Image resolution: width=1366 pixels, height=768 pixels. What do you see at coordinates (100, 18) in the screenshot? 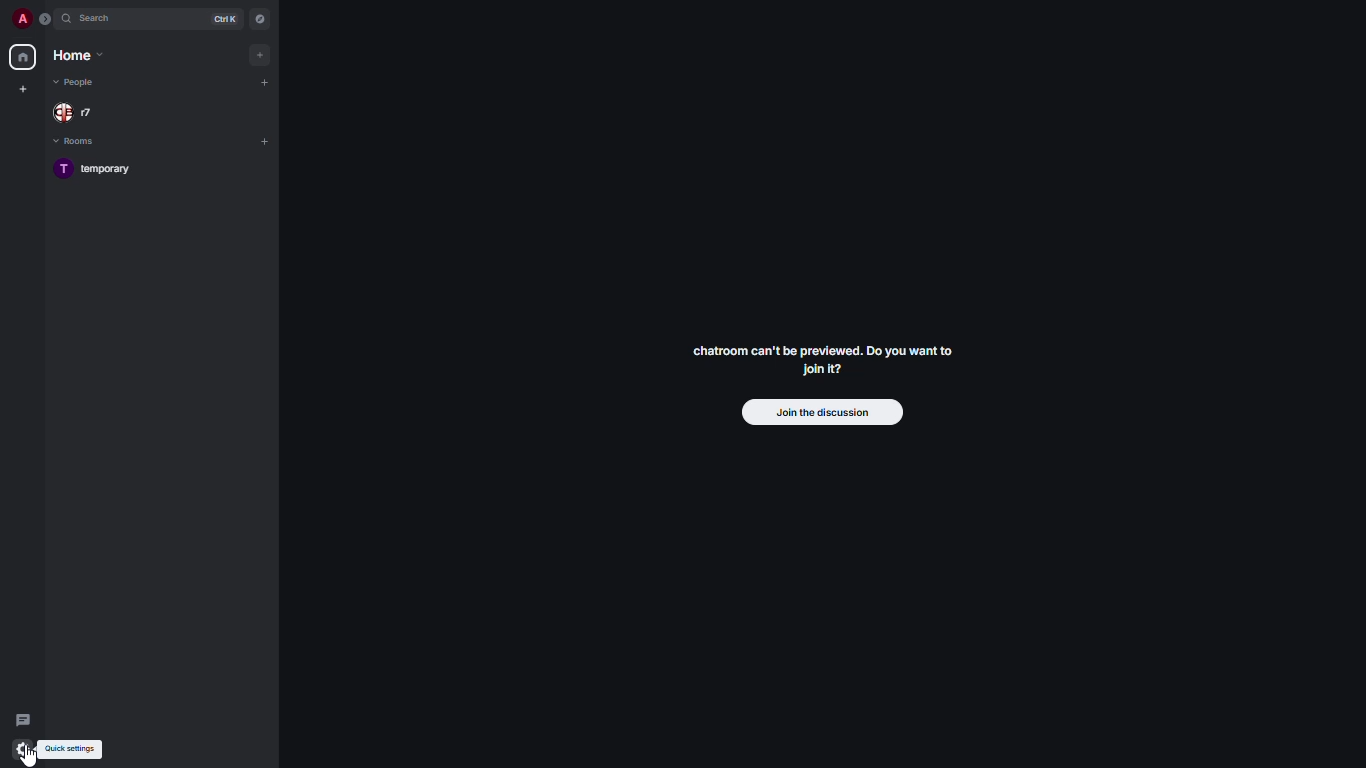
I see `search` at bounding box center [100, 18].